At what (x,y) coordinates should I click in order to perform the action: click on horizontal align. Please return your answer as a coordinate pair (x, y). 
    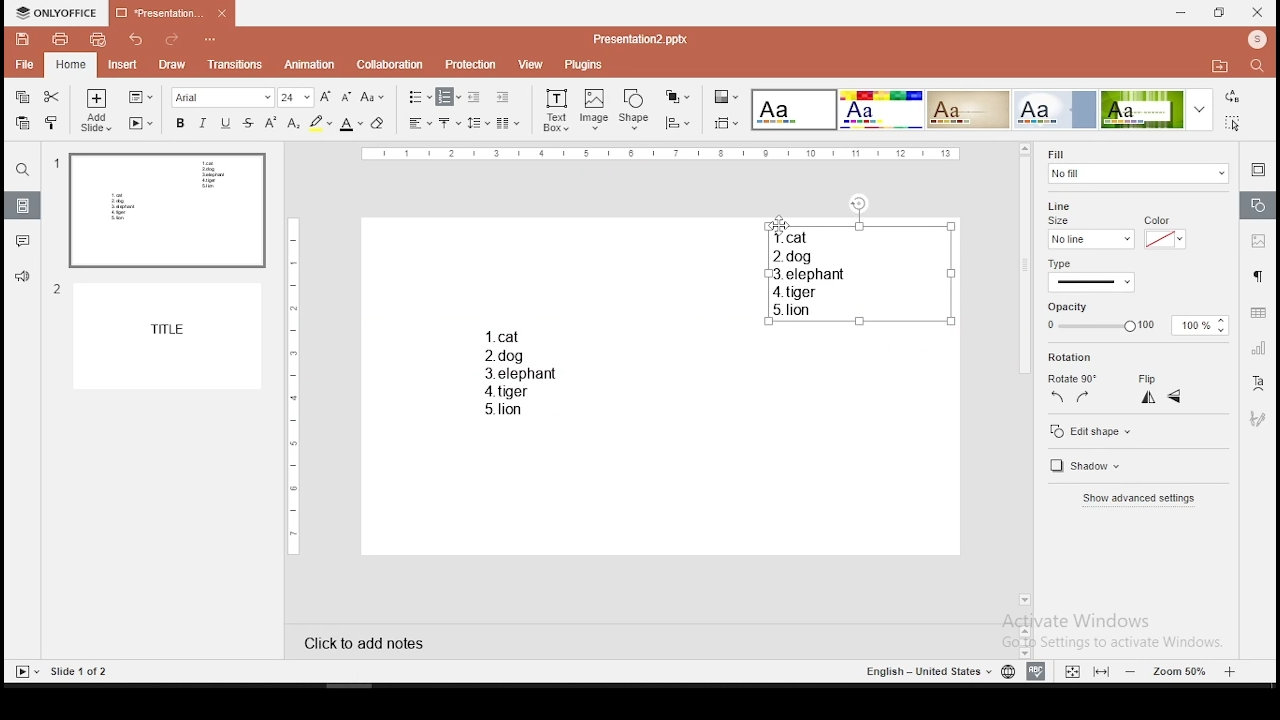
    Looking at the image, I should click on (419, 124).